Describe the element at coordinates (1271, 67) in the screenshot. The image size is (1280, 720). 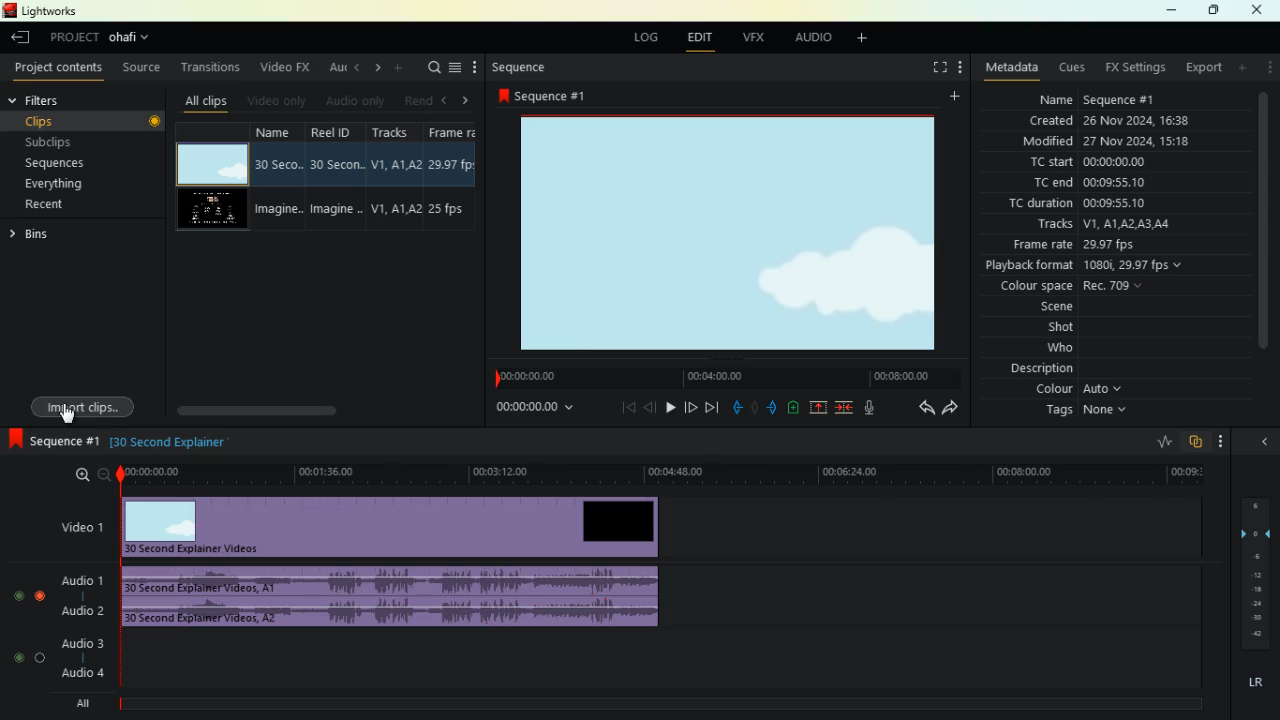
I see `more` at that location.